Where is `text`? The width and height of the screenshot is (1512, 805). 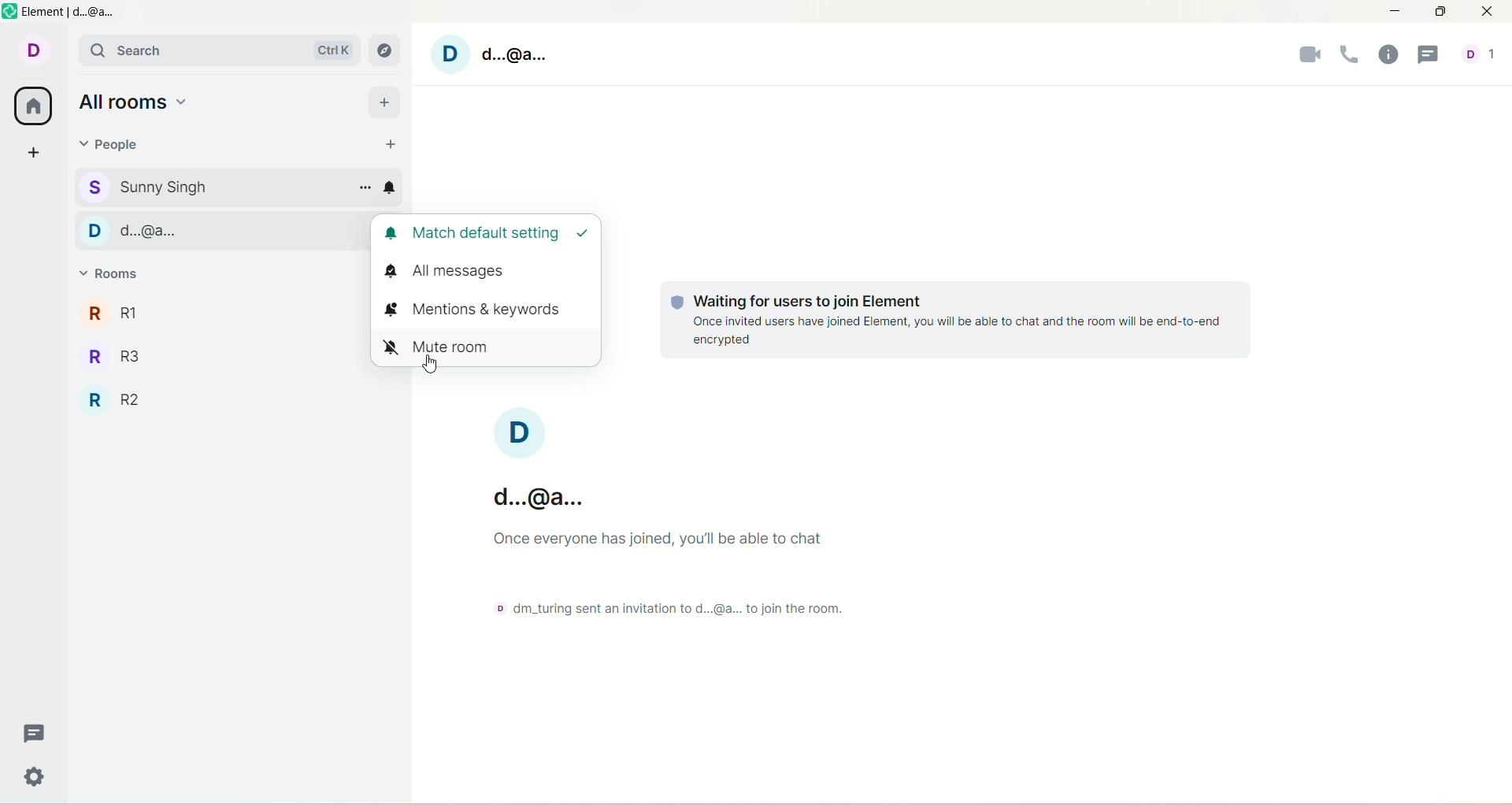 text is located at coordinates (676, 572).